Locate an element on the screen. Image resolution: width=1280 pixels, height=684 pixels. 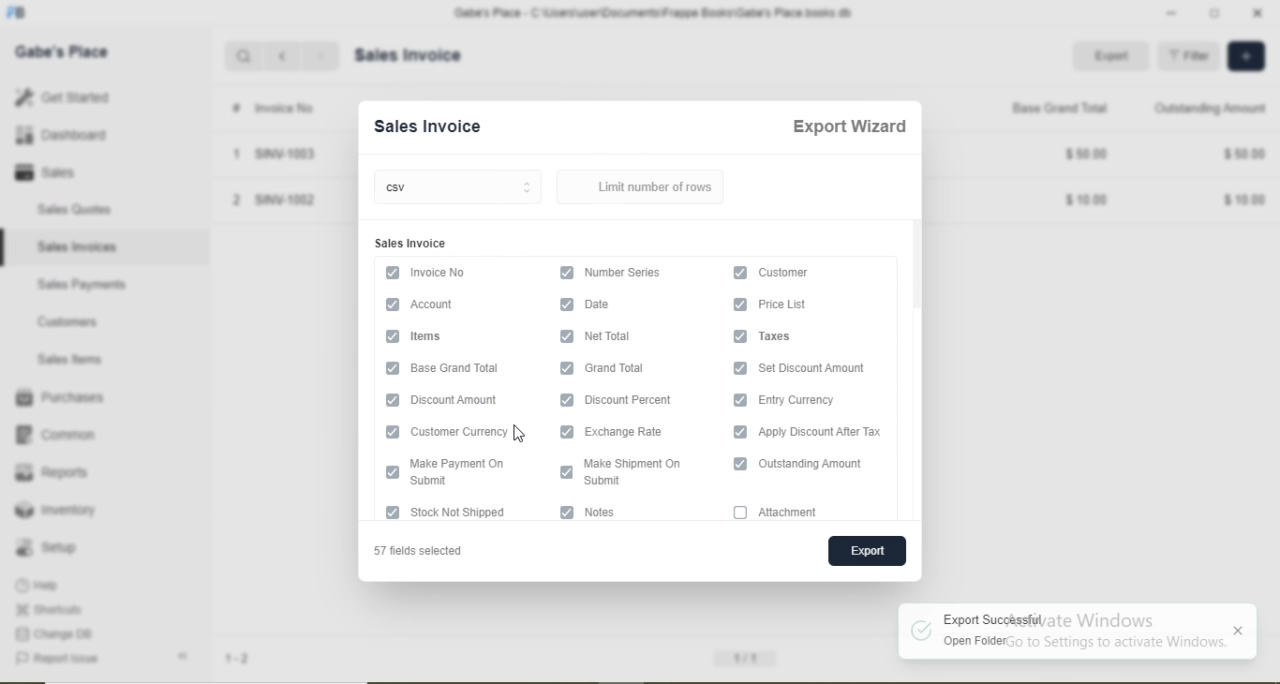
I Fep————
Submit is located at coordinates (467, 473).